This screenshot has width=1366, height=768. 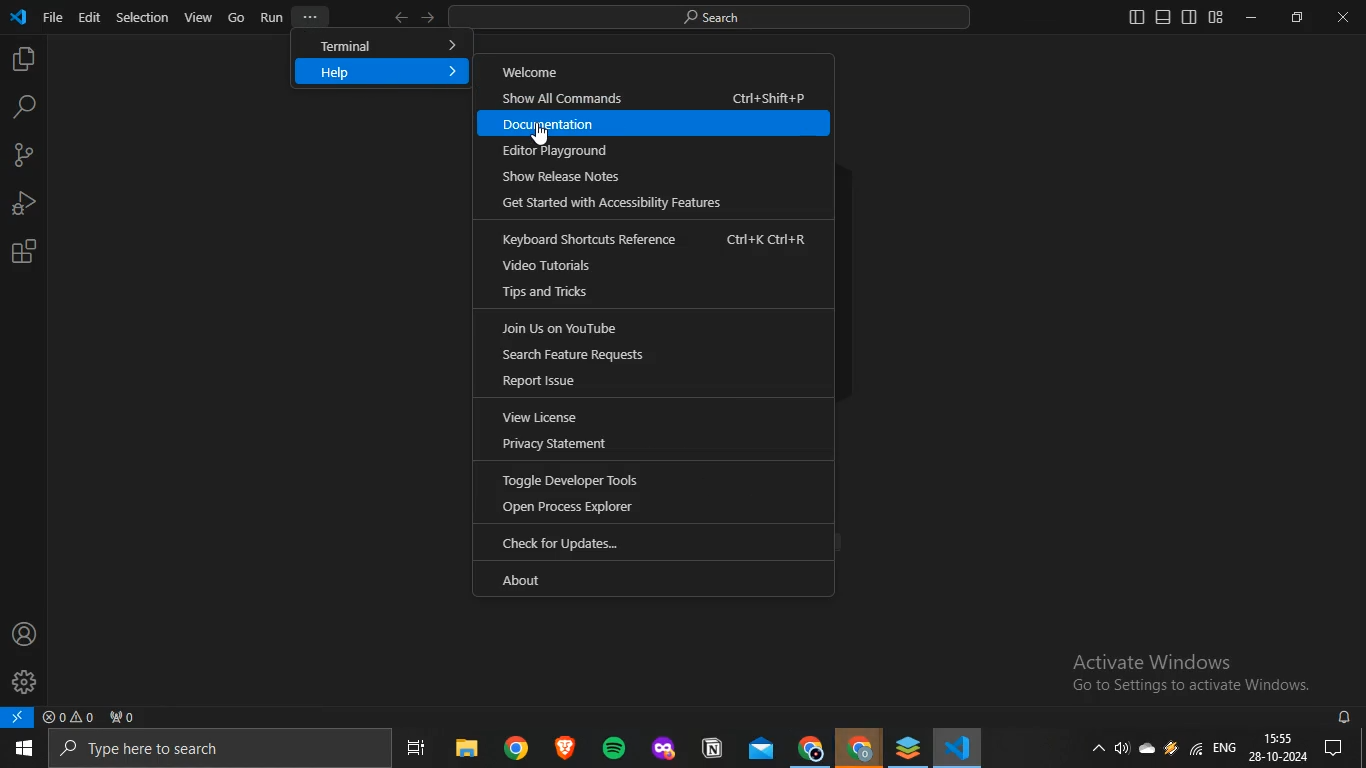 What do you see at coordinates (1217, 18) in the screenshot?
I see `customize layout` at bounding box center [1217, 18].